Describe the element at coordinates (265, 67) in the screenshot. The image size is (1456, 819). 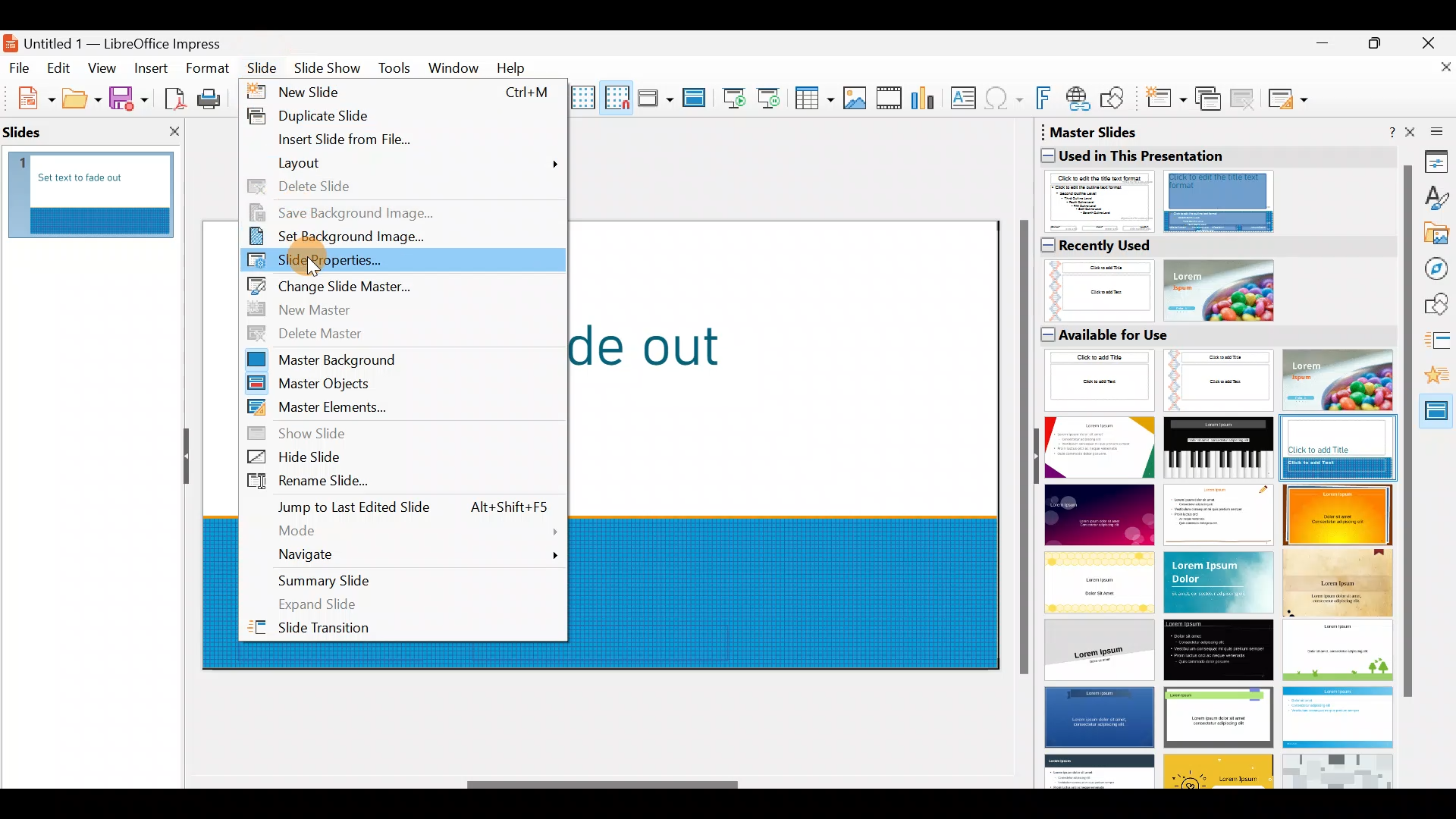
I see `Slide` at that location.